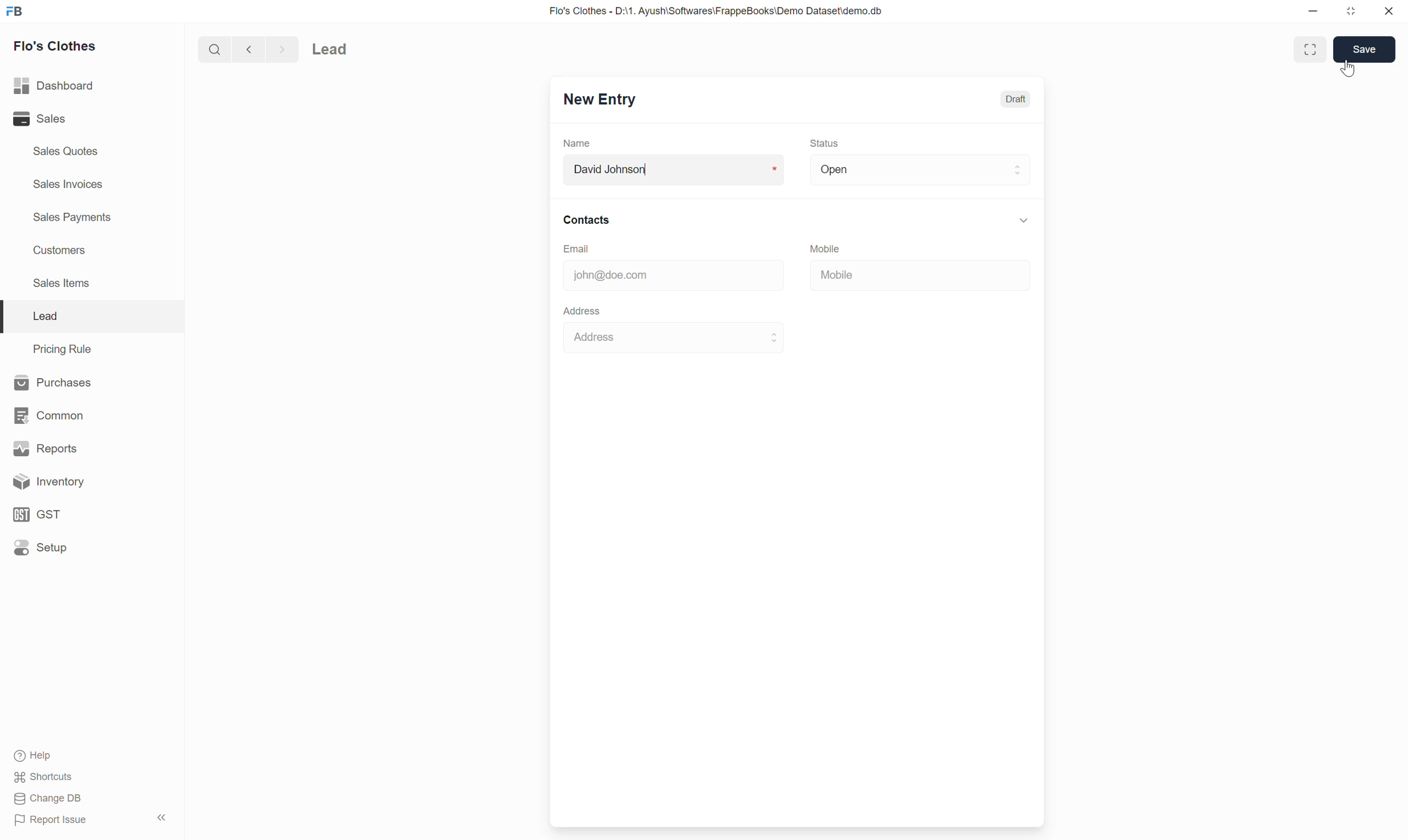 This screenshot has width=1408, height=840. I want to click on  Report Issue, so click(52, 820).